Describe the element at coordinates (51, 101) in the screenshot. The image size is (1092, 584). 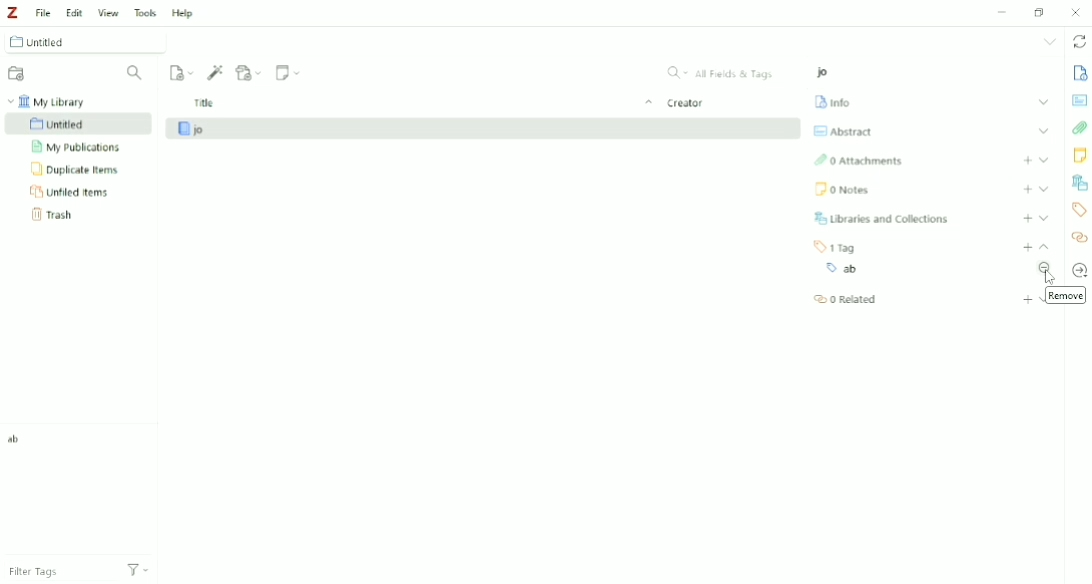
I see `My Library` at that location.